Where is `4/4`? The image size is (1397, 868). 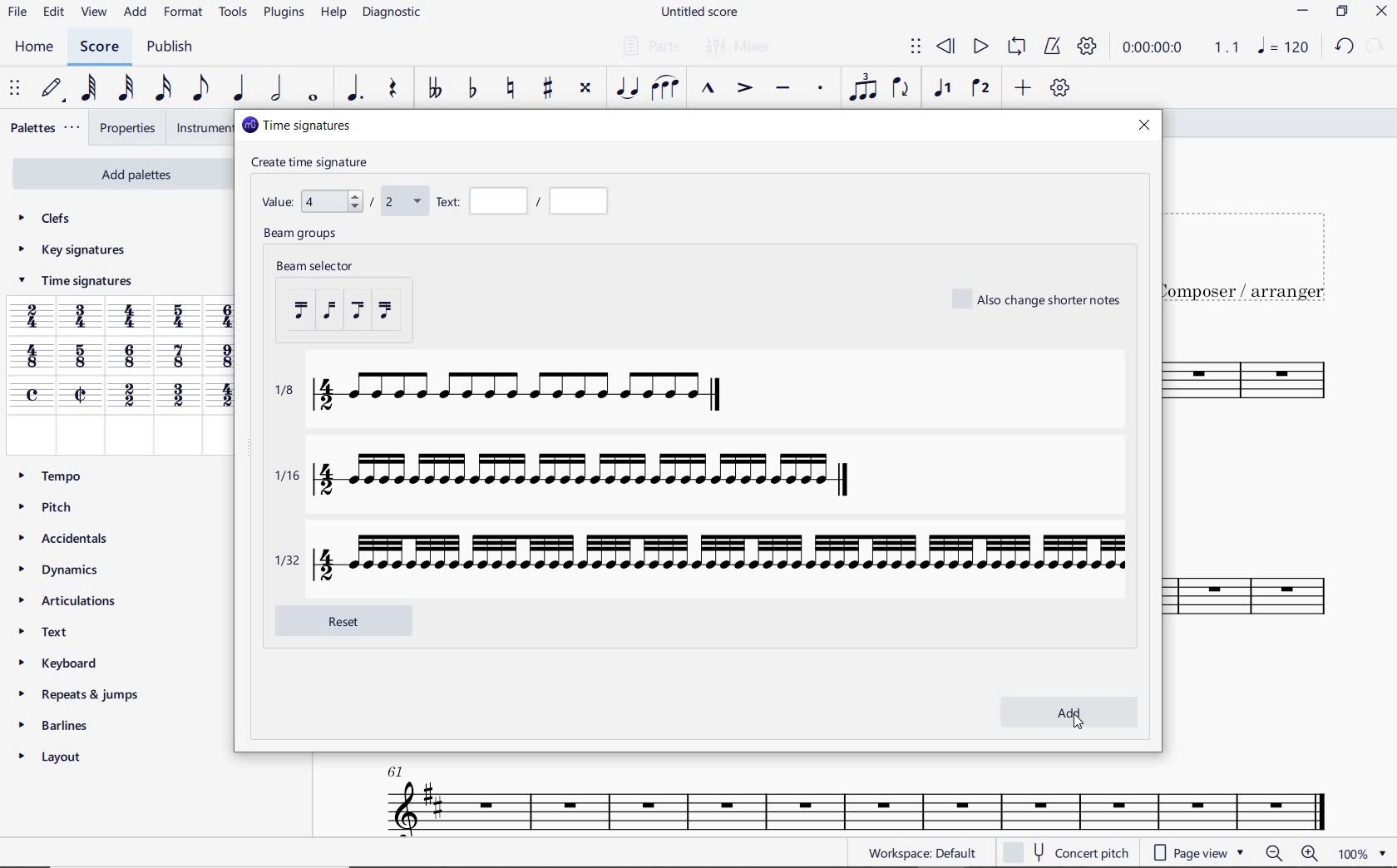
4/4 is located at coordinates (132, 318).